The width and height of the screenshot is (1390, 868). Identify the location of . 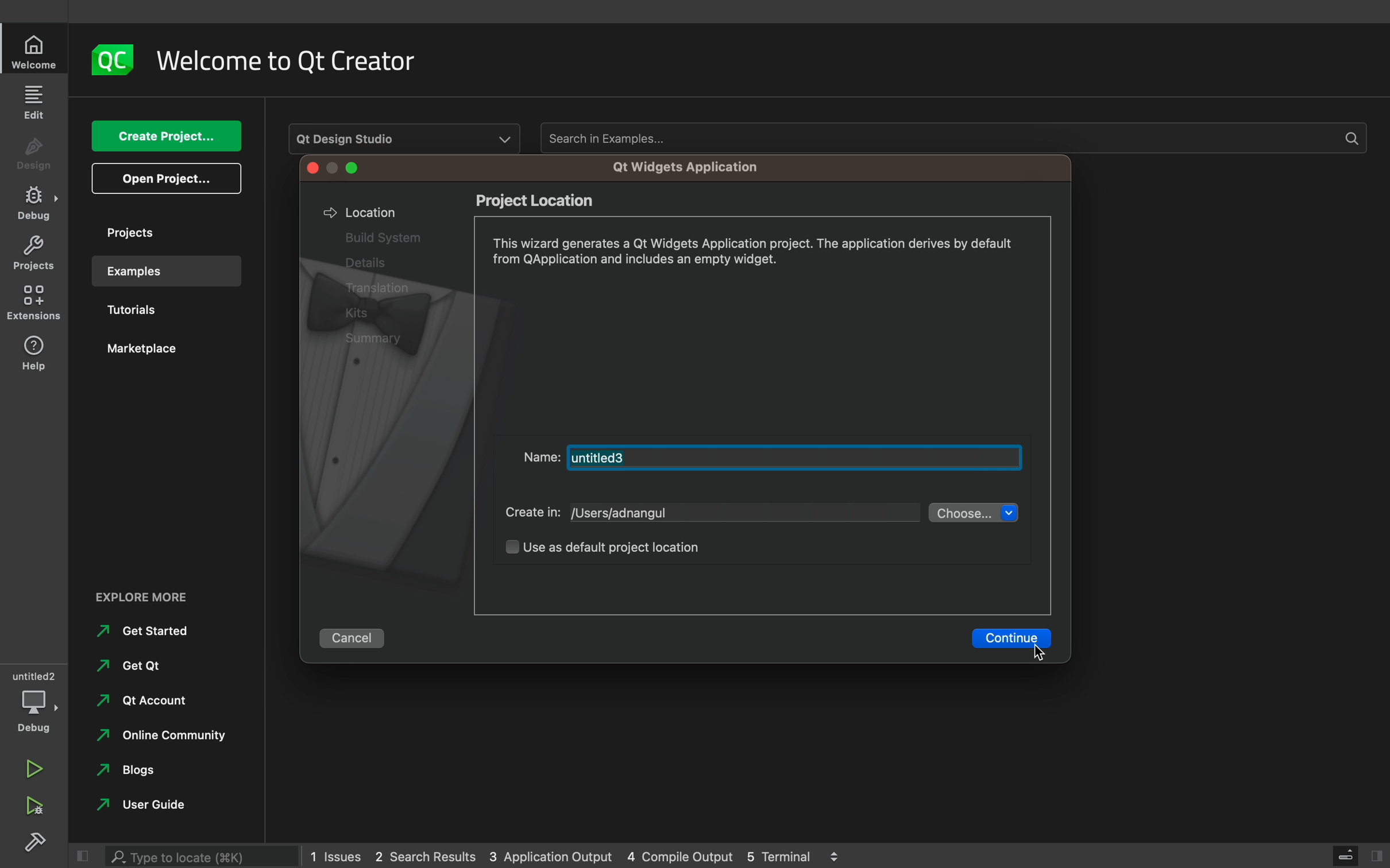
(379, 289).